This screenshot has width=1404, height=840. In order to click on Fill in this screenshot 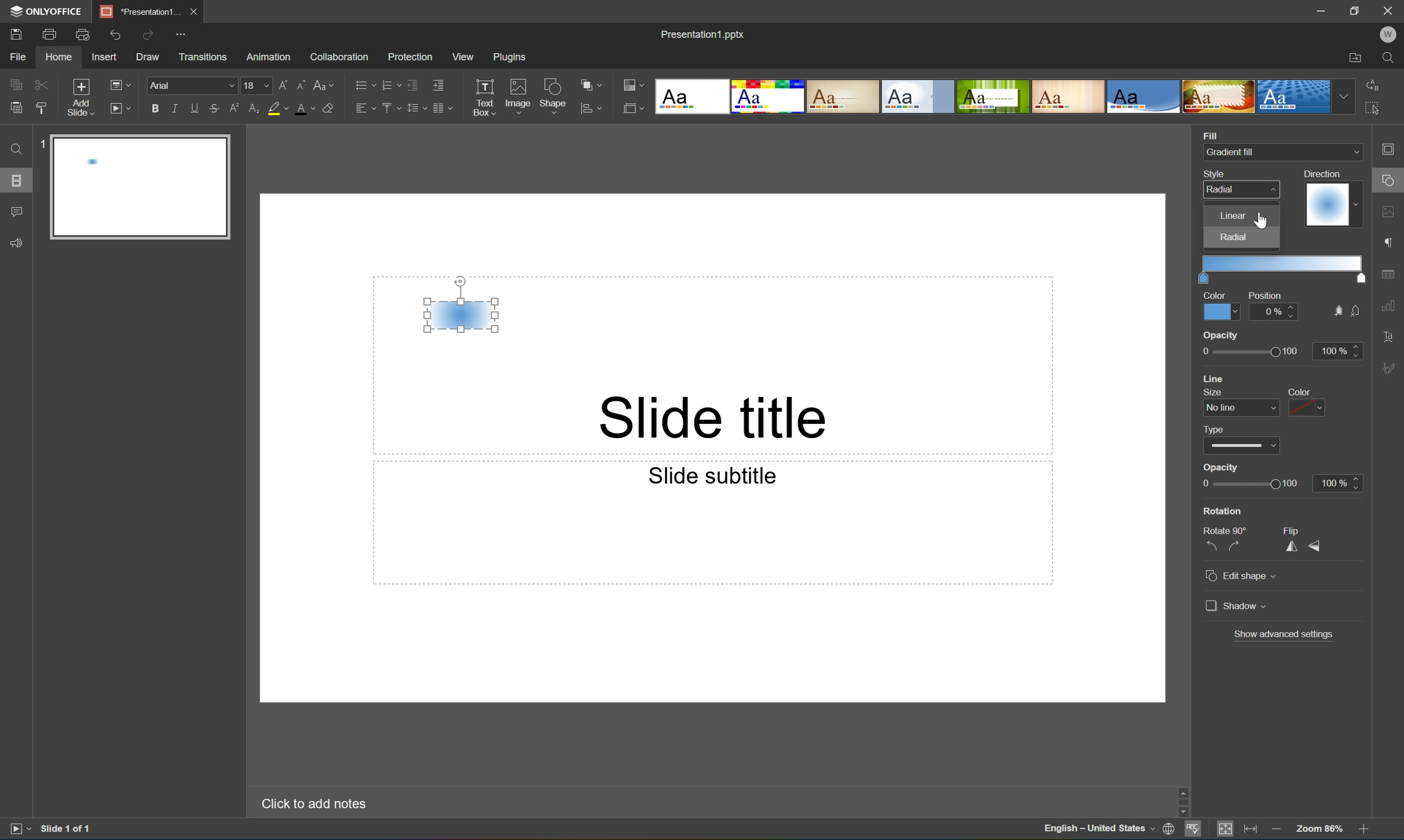, I will do `click(1210, 134)`.